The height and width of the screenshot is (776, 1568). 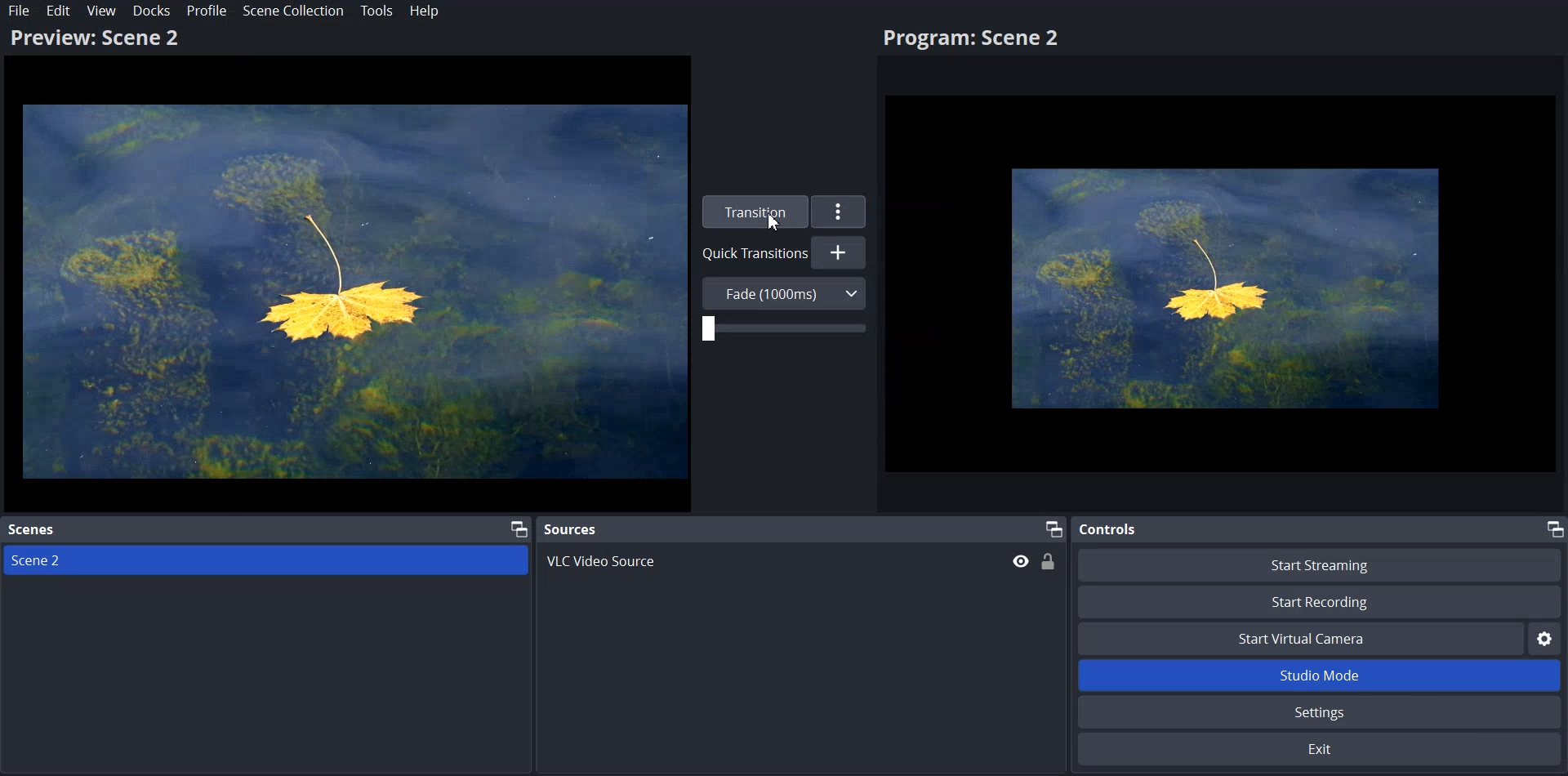 I want to click on Preview: Scene 2, so click(x=103, y=41).